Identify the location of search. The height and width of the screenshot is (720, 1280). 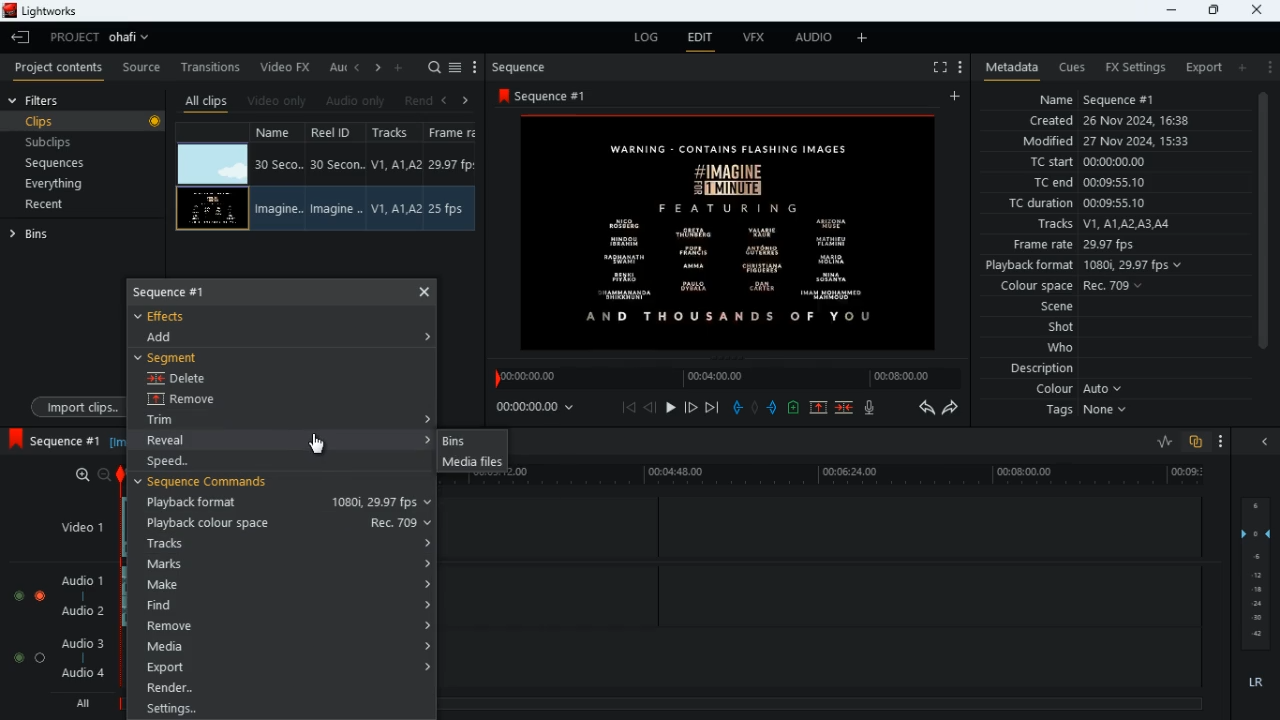
(434, 67).